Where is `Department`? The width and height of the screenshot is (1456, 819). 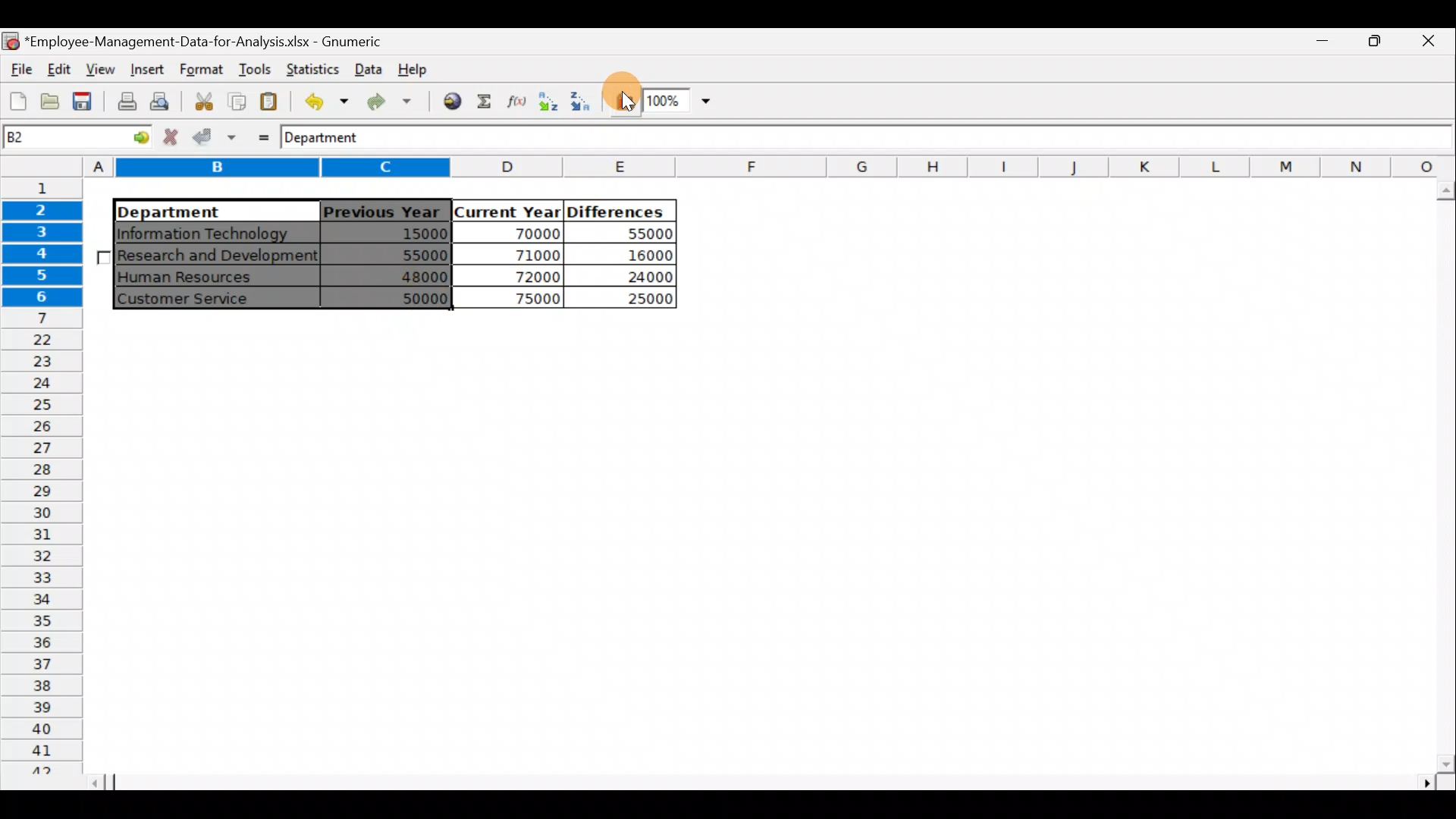 Department is located at coordinates (334, 139).